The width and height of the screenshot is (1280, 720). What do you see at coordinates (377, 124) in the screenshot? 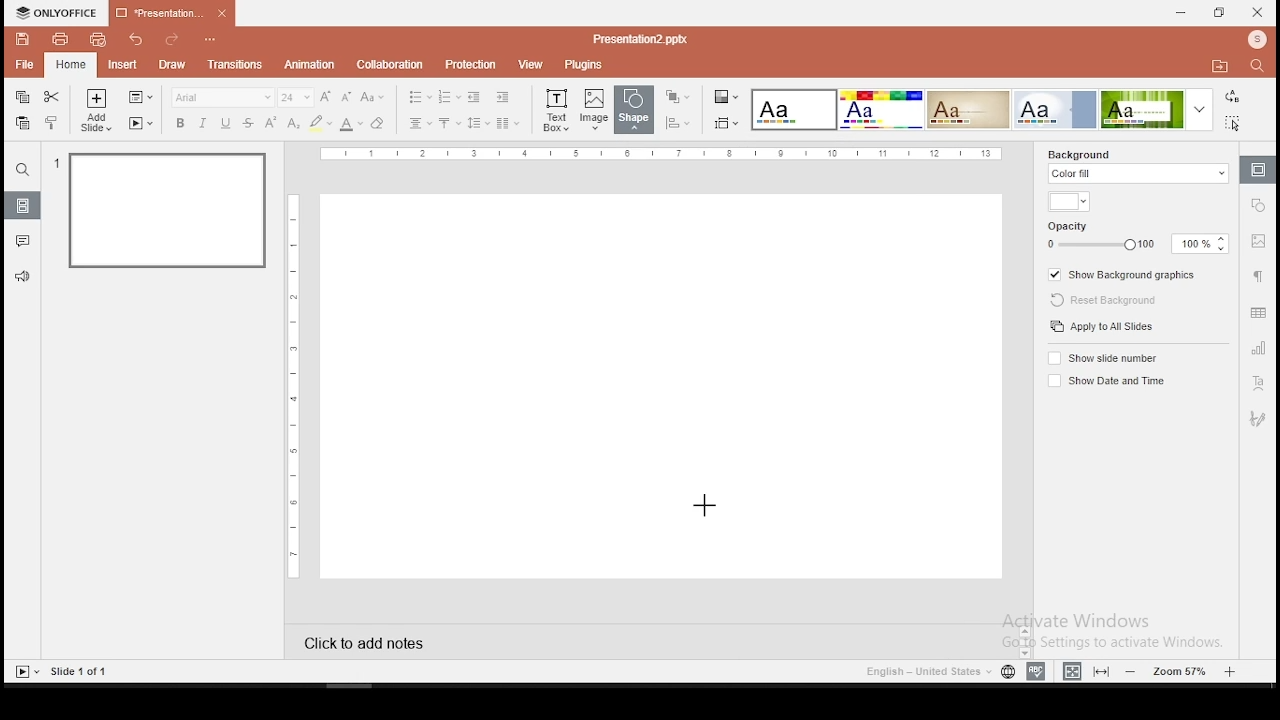
I see `eraser tool` at bounding box center [377, 124].